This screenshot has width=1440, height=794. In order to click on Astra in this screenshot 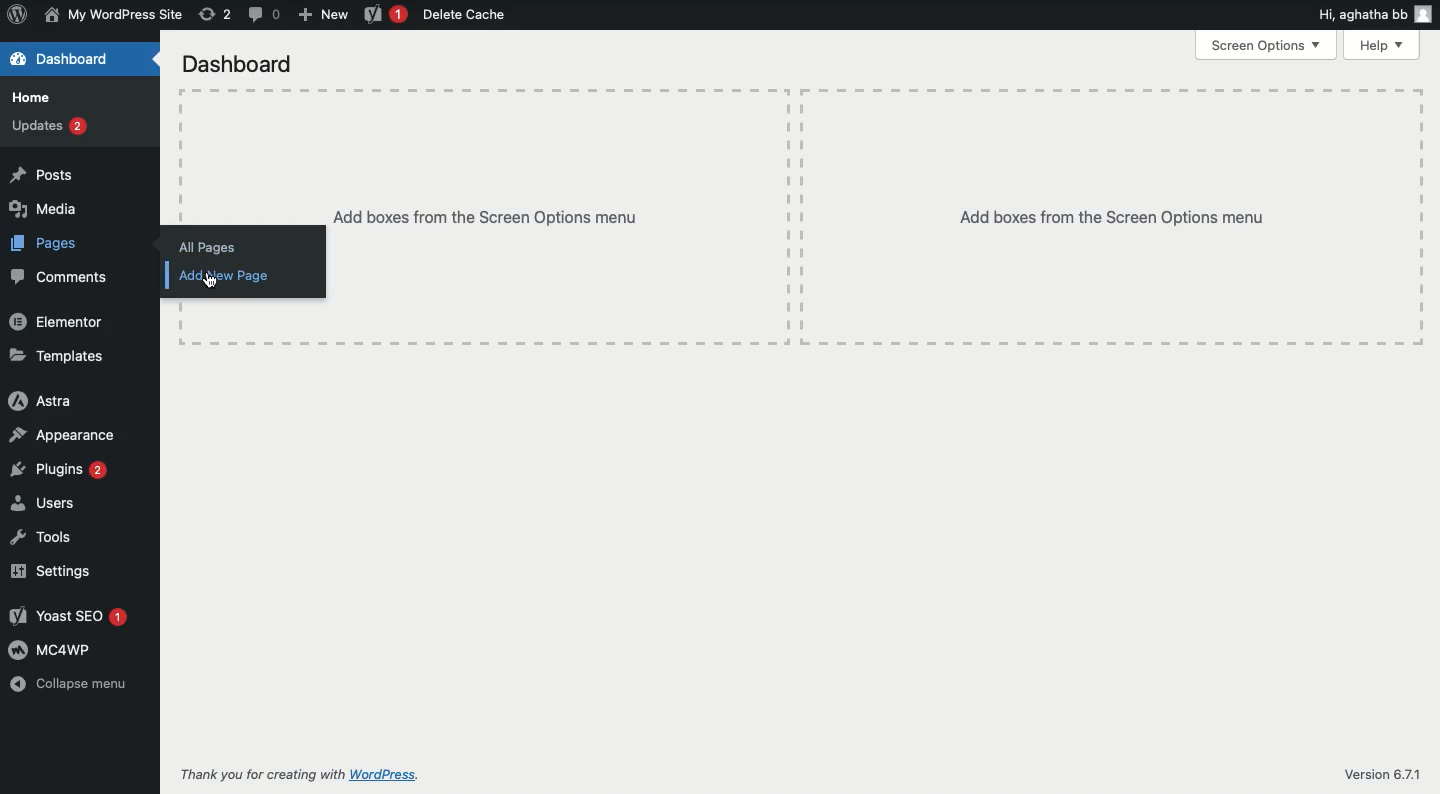, I will do `click(41, 400)`.